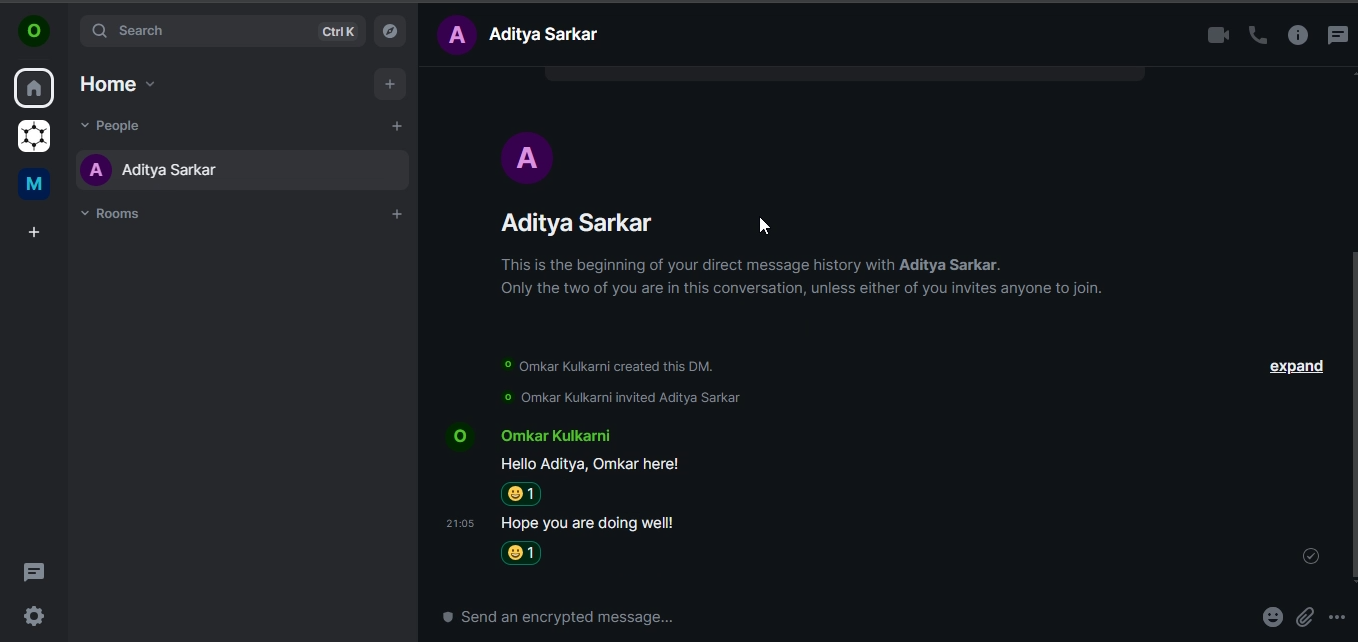  What do you see at coordinates (34, 32) in the screenshot?
I see `icon` at bounding box center [34, 32].